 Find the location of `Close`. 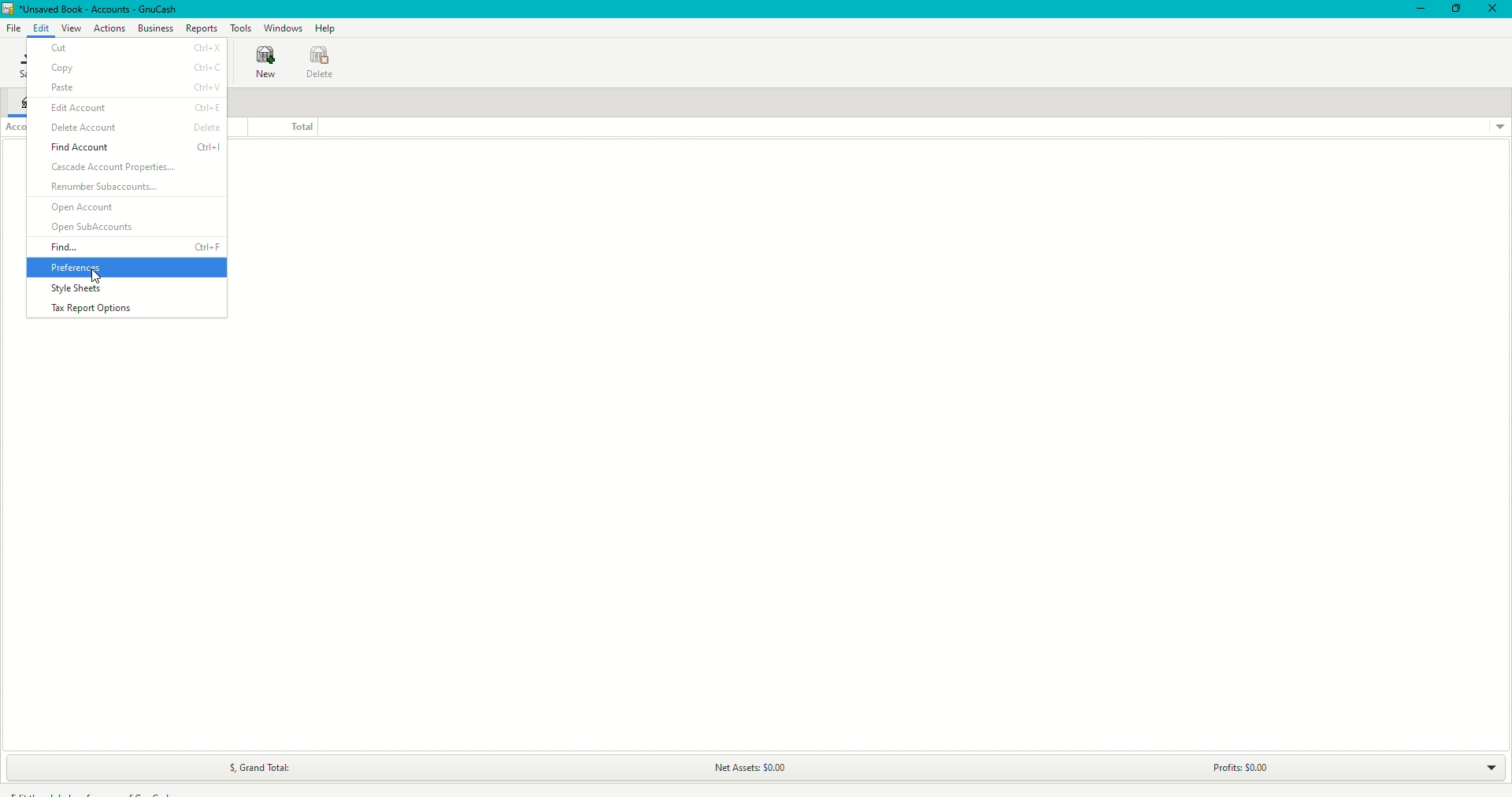

Close is located at coordinates (1493, 9).